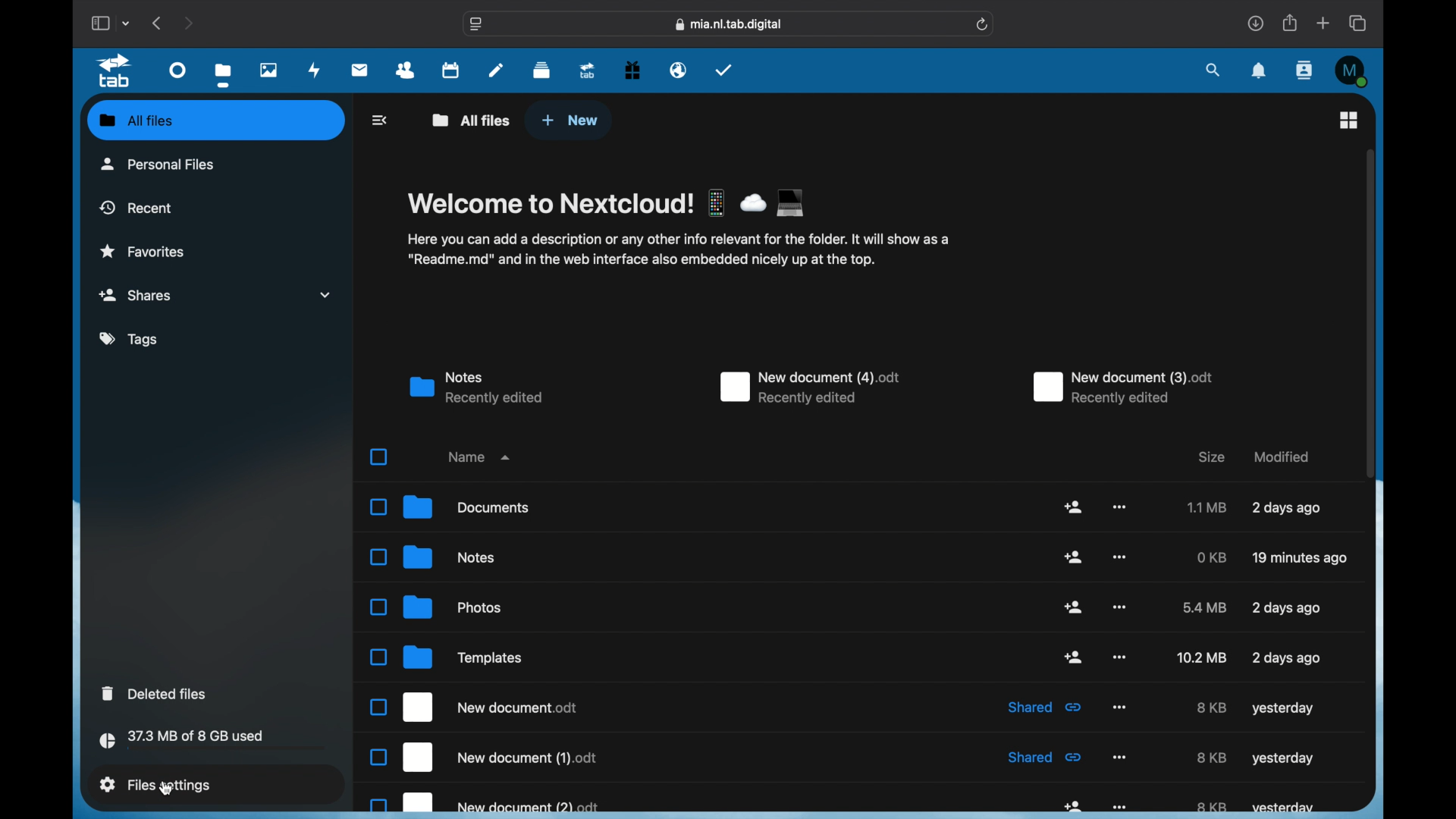 This screenshot has height=819, width=1456. Describe the element at coordinates (570, 121) in the screenshot. I see `new` at that location.